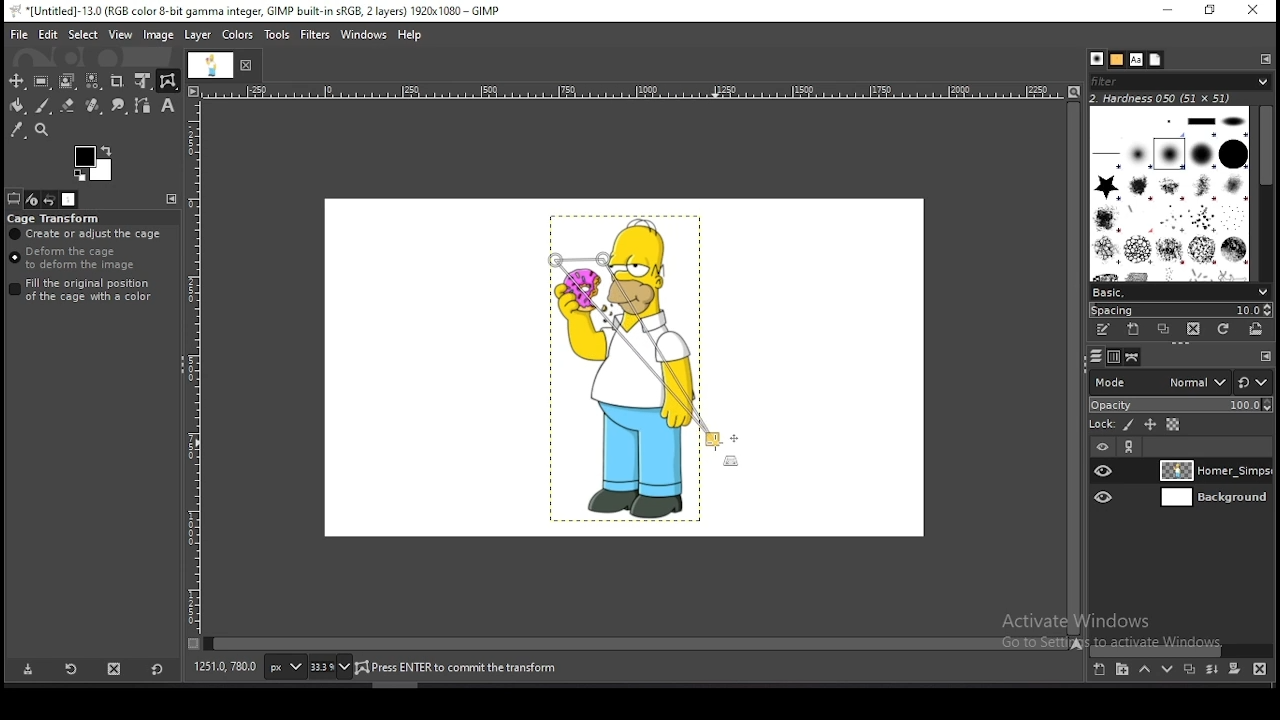 The width and height of the screenshot is (1280, 720). Describe the element at coordinates (1155, 381) in the screenshot. I see `blend mode` at that location.